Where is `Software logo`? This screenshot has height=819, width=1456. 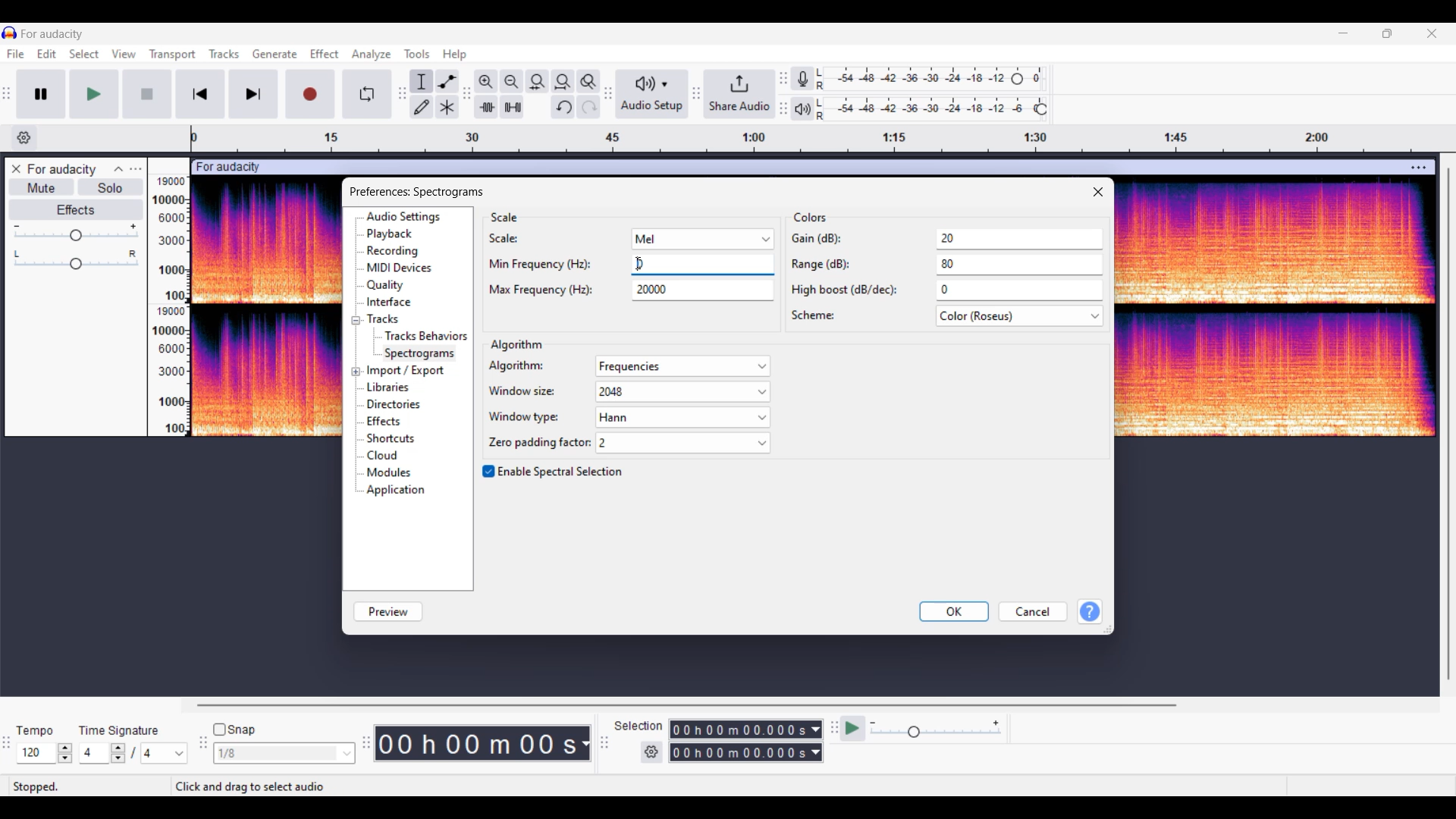 Software logo is located at coordinates (10, 33).